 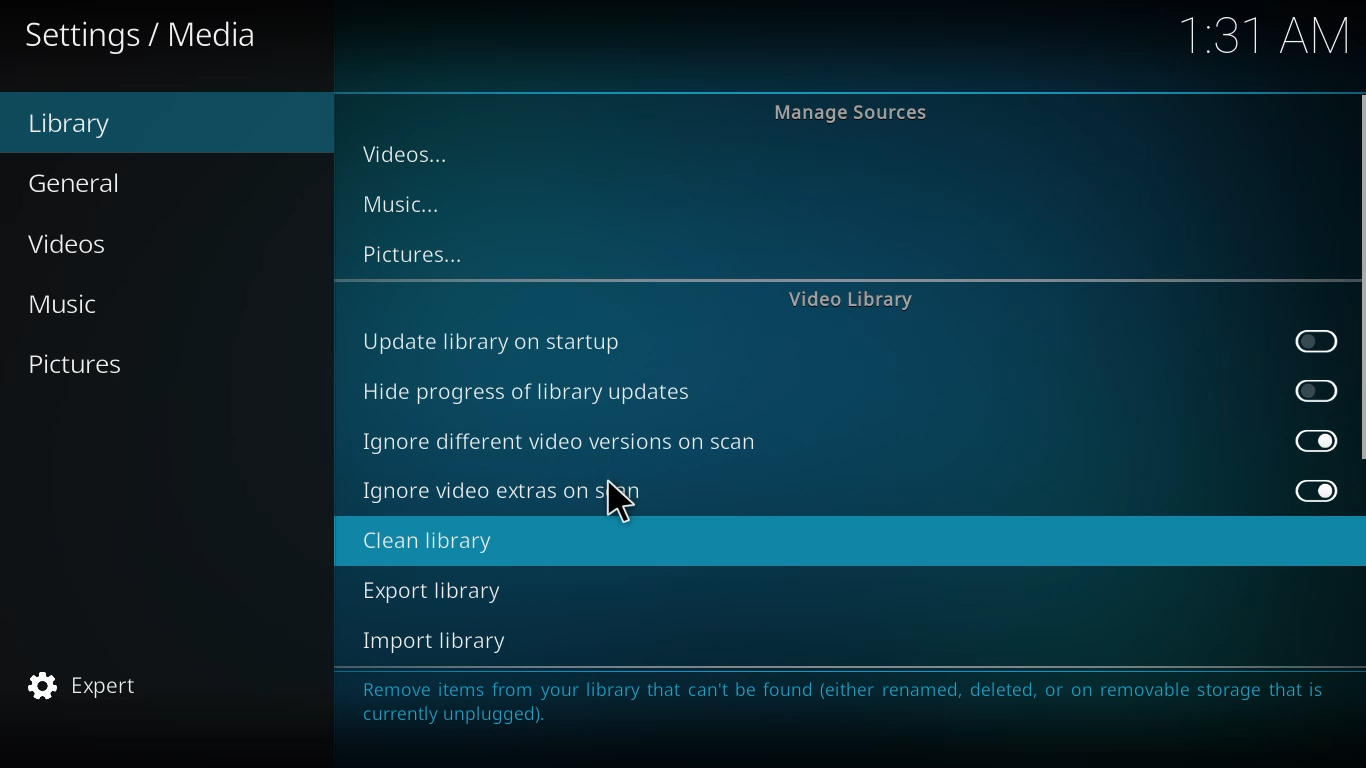 I want to click on pictures, so click(x=415, y=254).